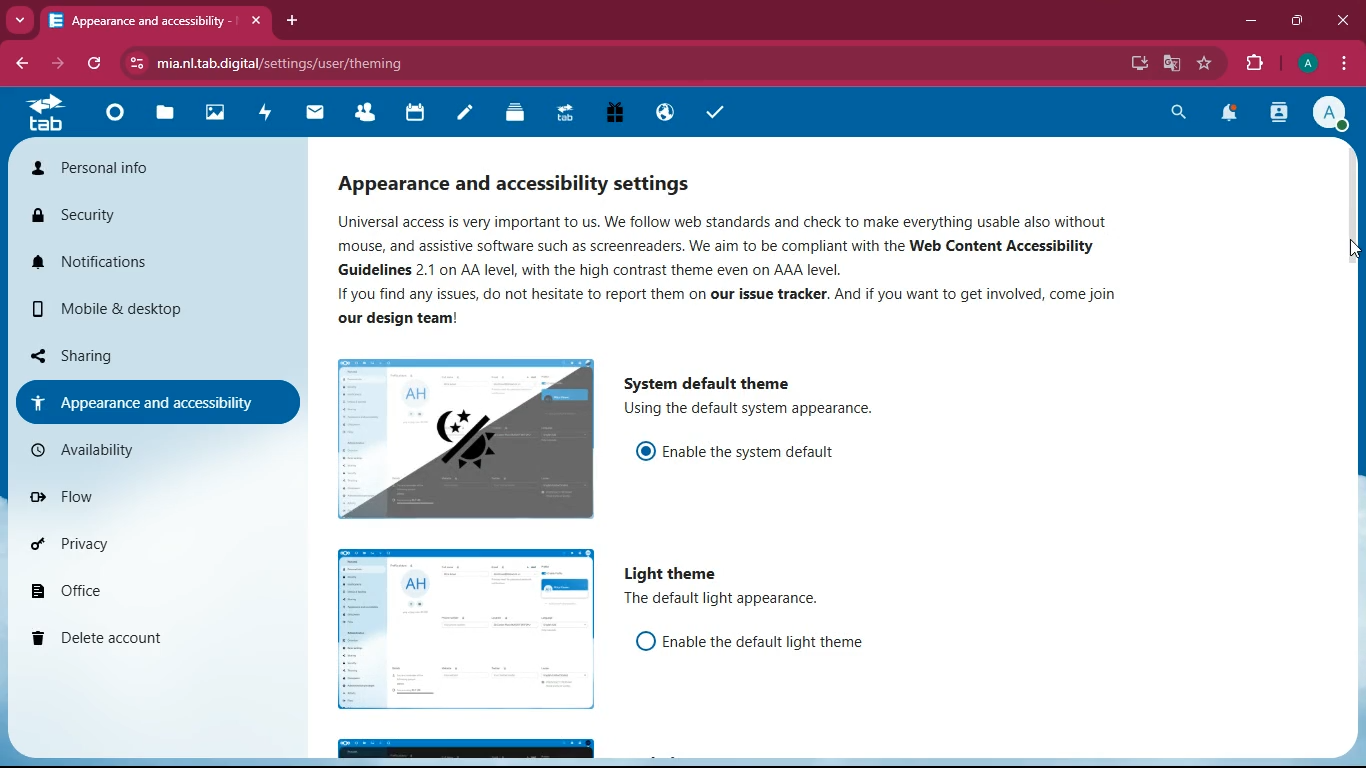 This screenshot has height=768, width=1366. What do you see at coordinates (166, 113) in the screenshot?
I see `files` at bounding box center [166, 113].